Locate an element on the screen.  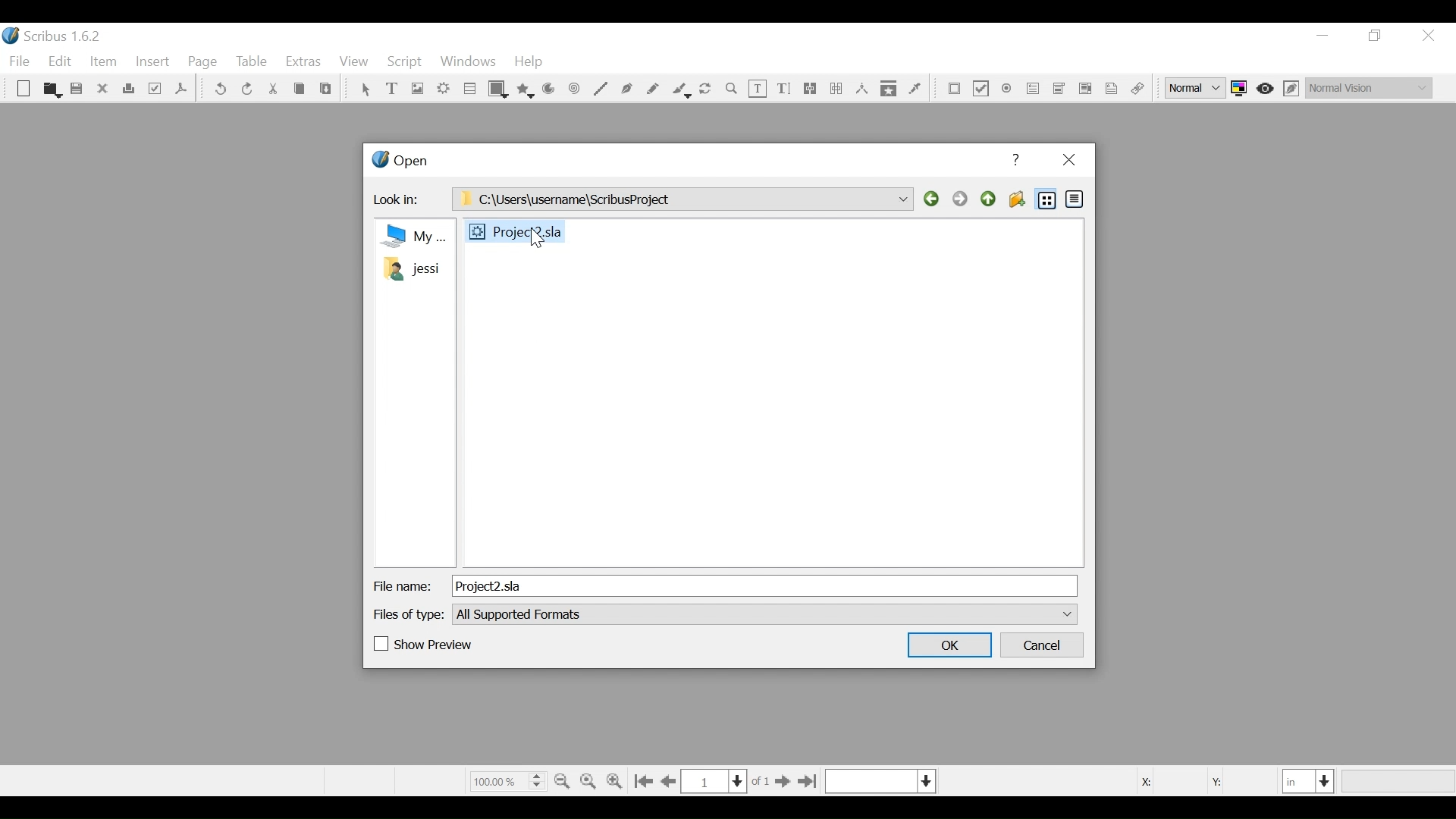
Go to the previous page is located at coordinates (671, 782).